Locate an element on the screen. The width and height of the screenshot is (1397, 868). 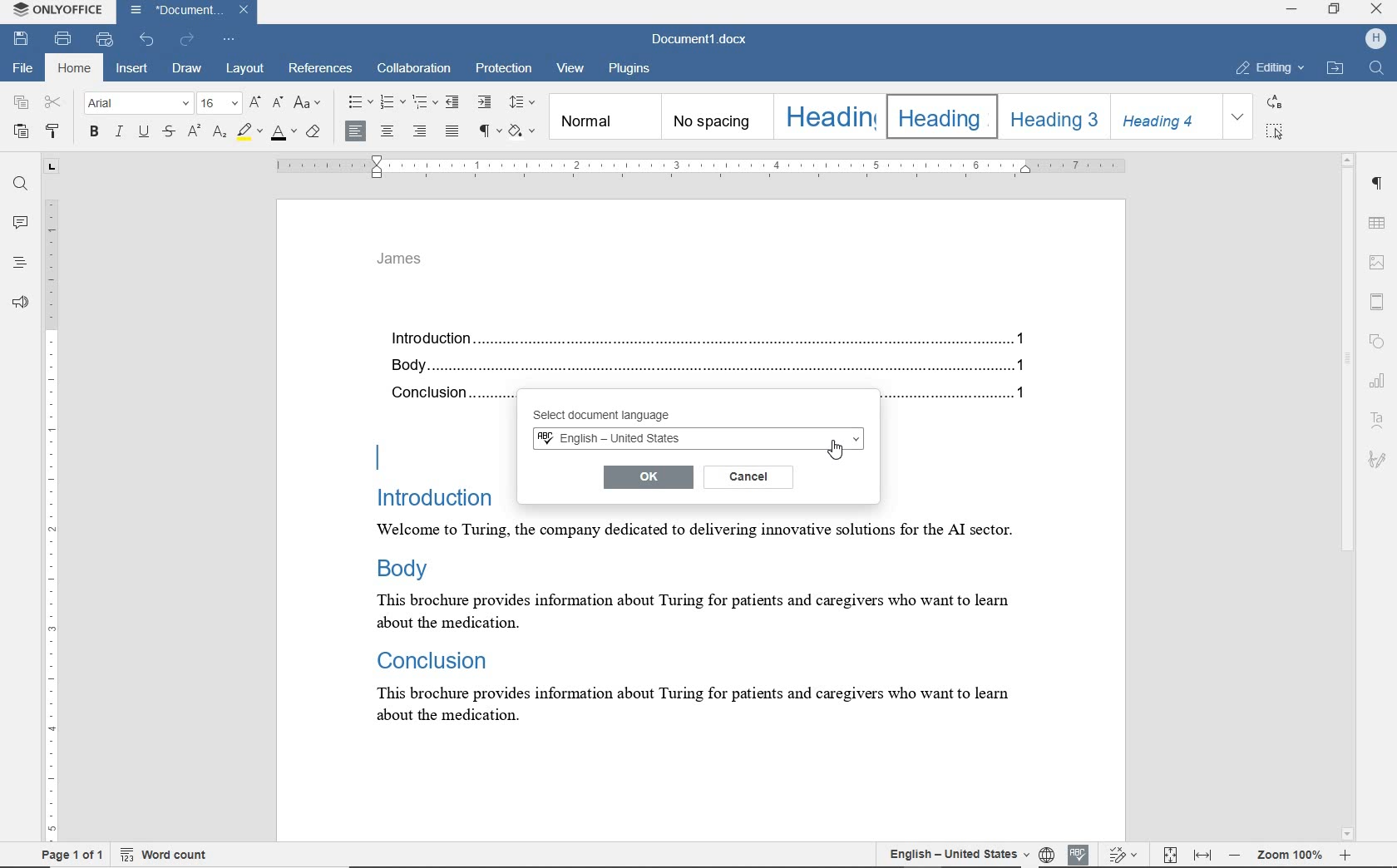
OPEN FILE LOCATION is located at coordinates (1335, 69).